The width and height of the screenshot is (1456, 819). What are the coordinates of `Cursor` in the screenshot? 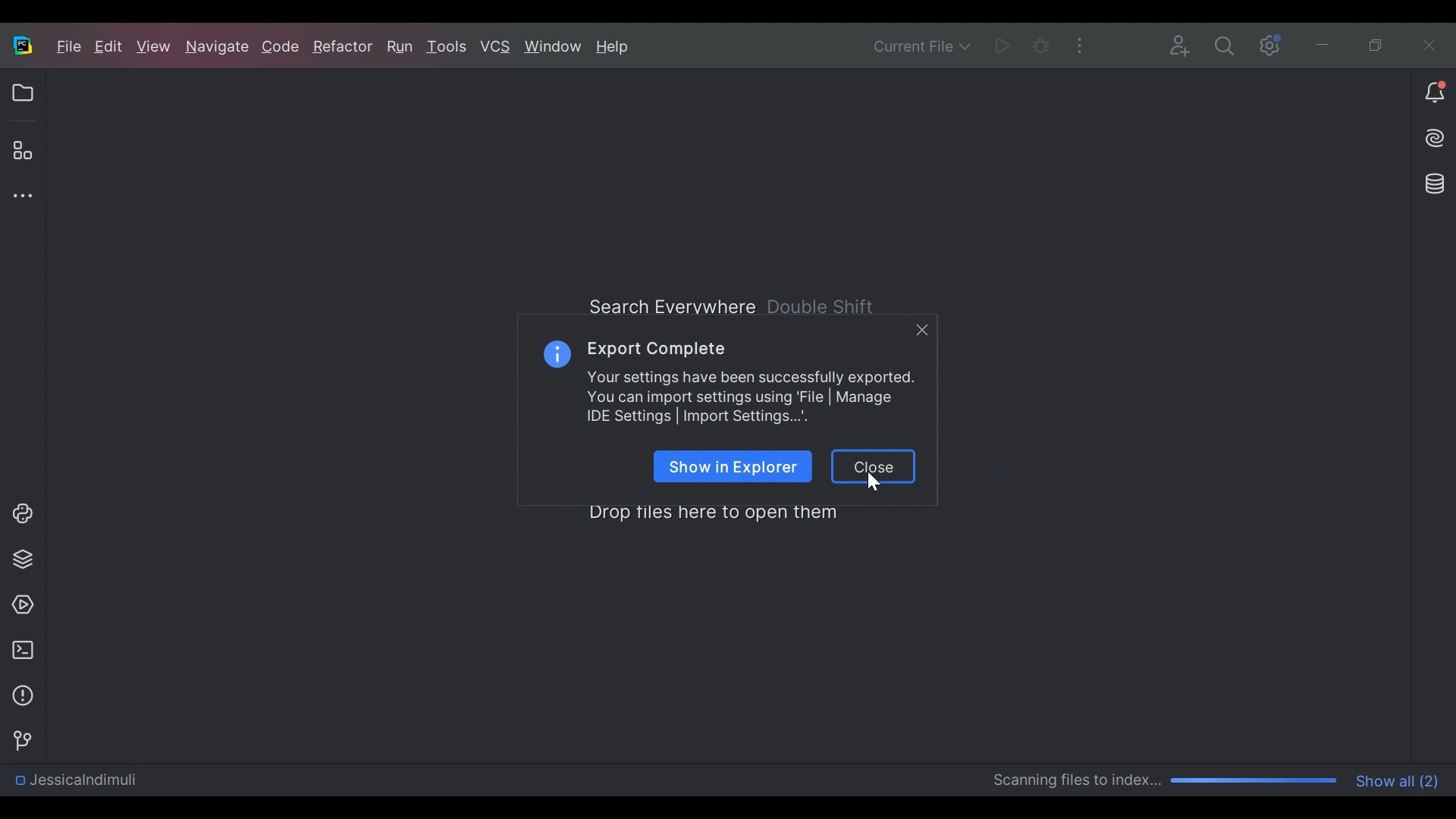 It's located at (874, 480).